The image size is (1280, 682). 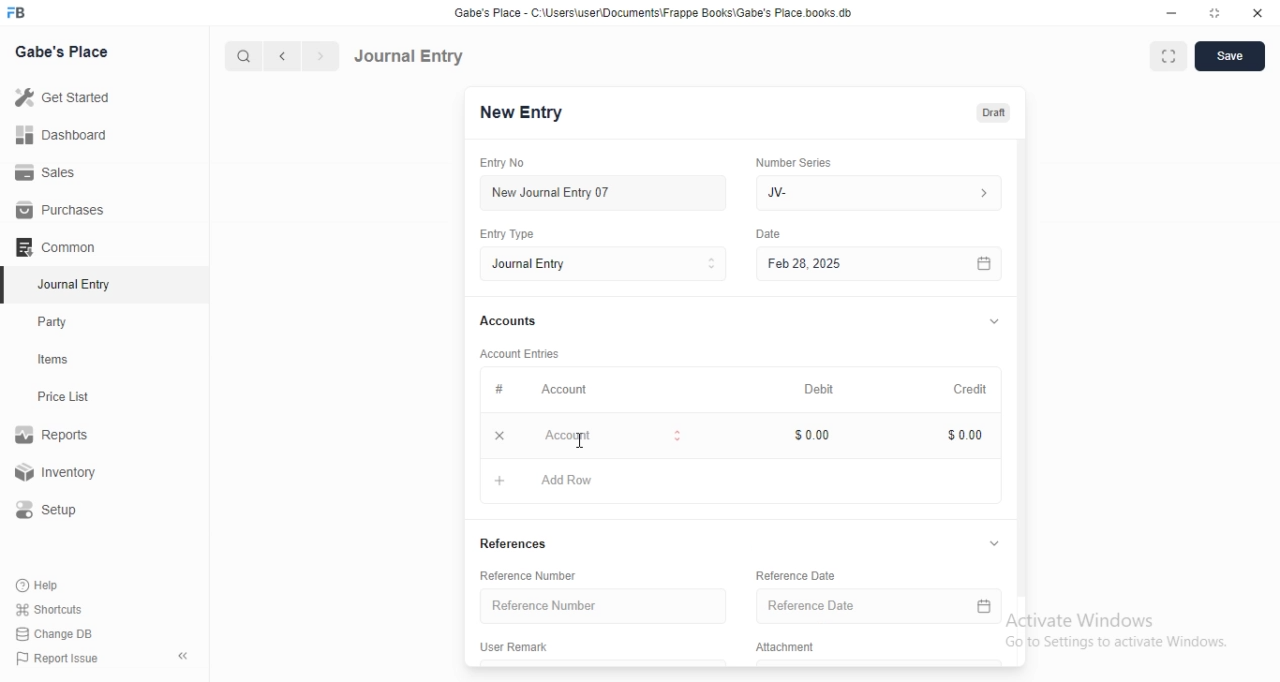 What do you see at coordinates (61, 210) in the screenshot?
I see `Purchases` at bounding box center [61, 210].